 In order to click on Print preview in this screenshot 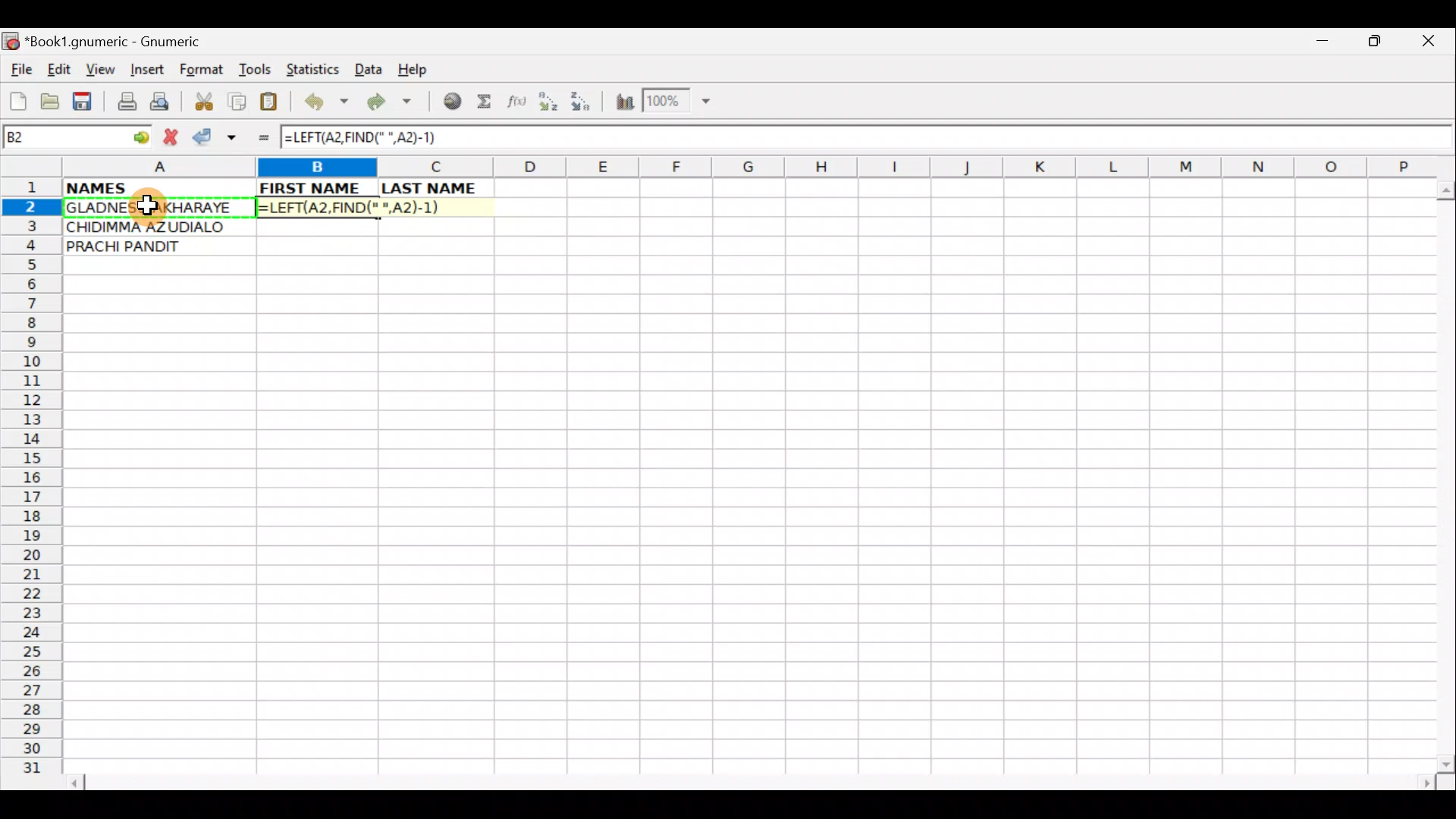, I will do `click(160, 105)`.